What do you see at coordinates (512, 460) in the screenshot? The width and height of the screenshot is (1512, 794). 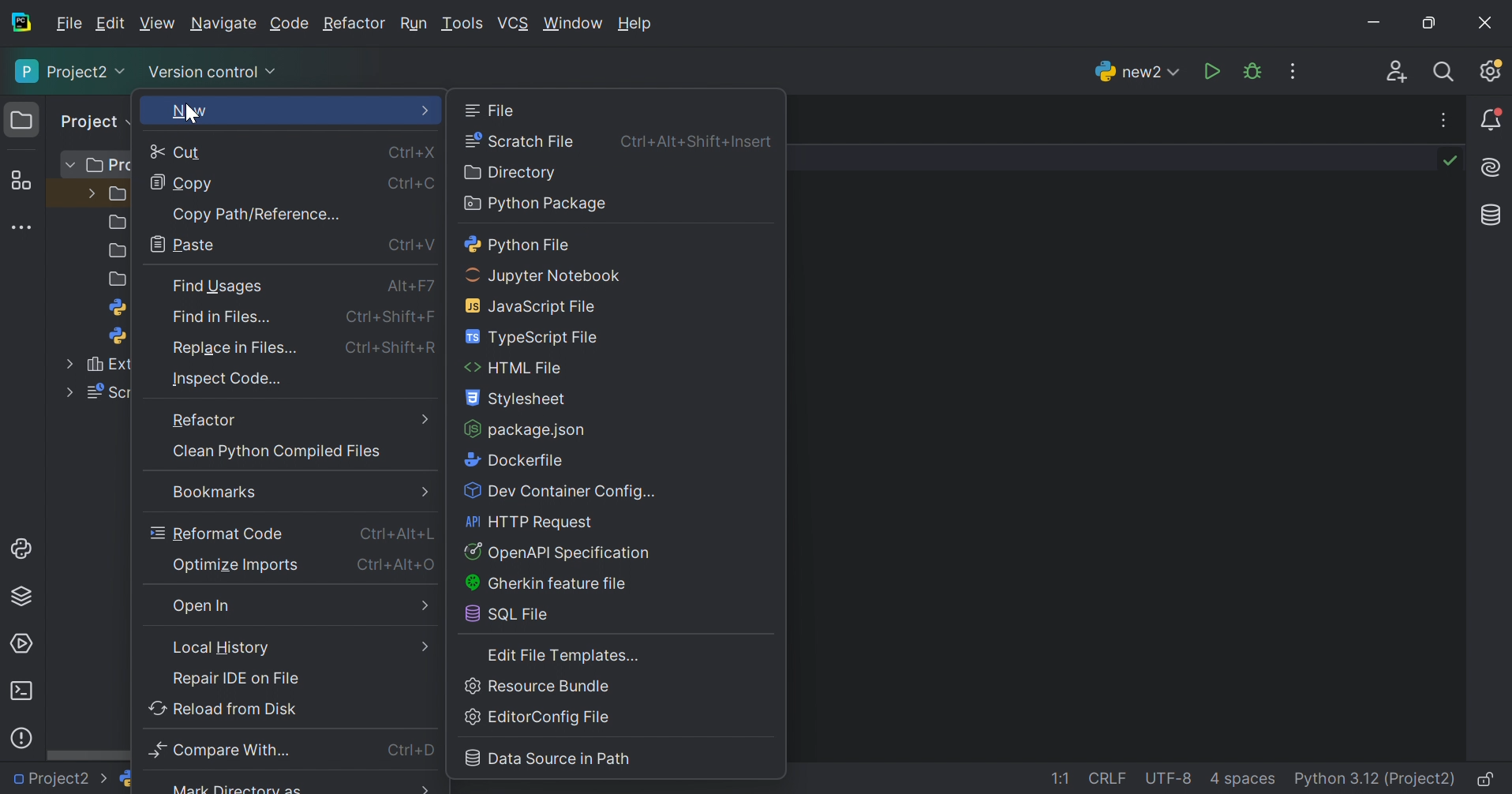 I see `Dockerfile` at bounding box center [512, 460].